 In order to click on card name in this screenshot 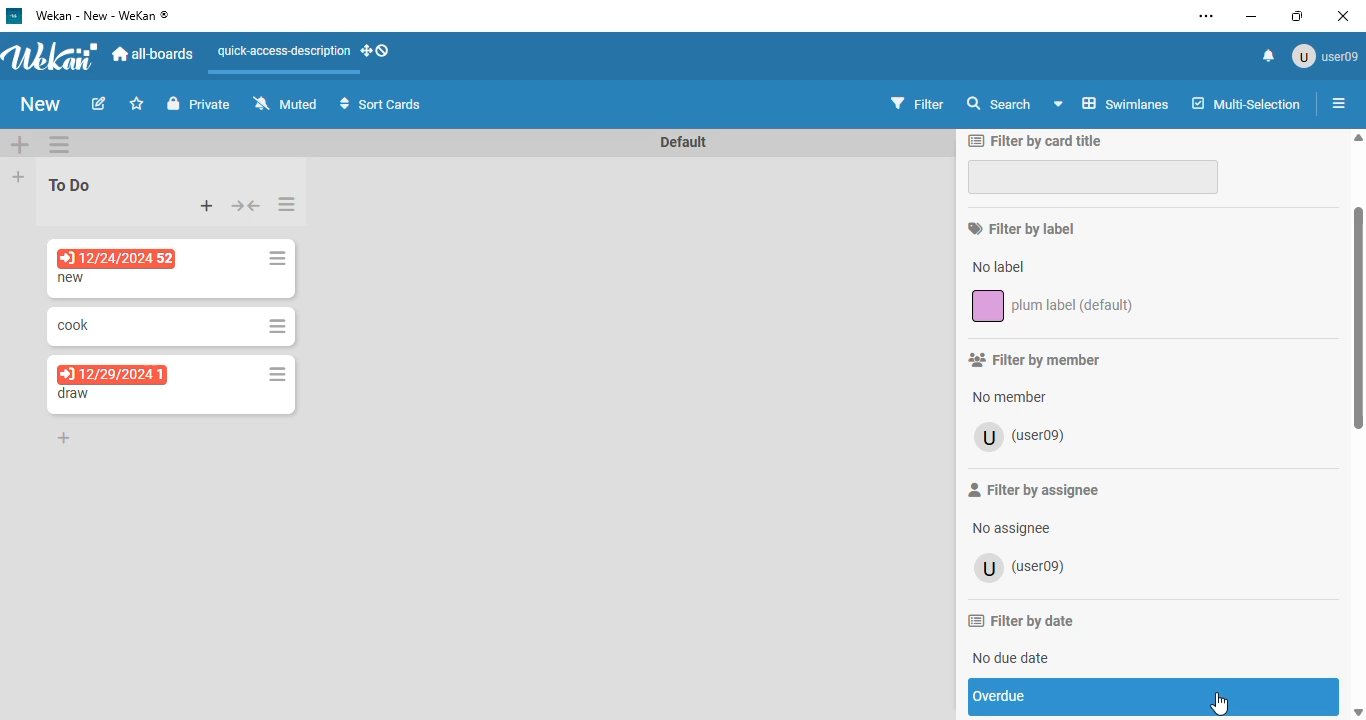, I will do `click(73, 278)`.